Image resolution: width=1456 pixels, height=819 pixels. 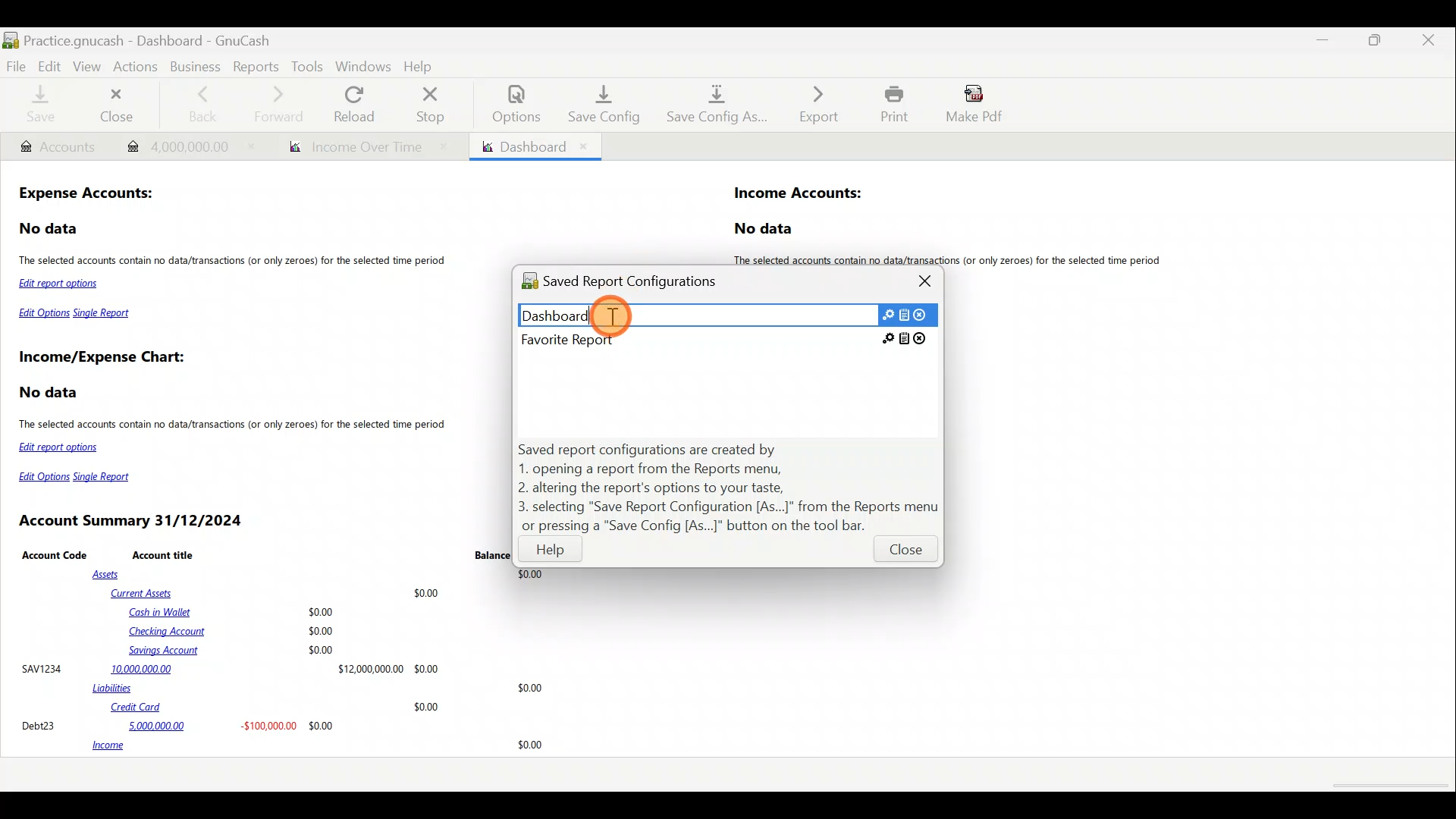 I want to click on income 30.00, so click(x=317, y=746).